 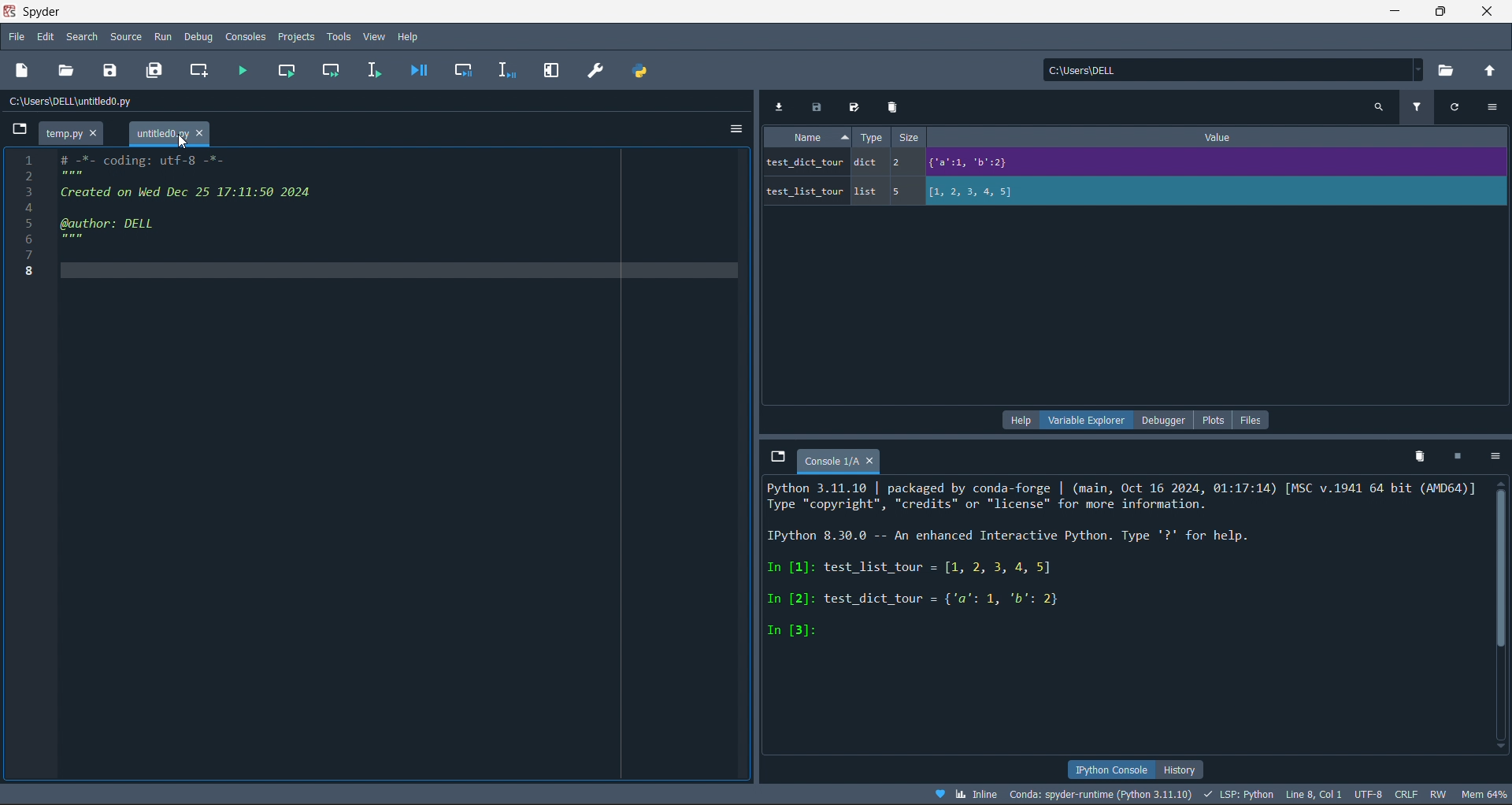 I want to click on help pane, so click(x=1019, y=421).